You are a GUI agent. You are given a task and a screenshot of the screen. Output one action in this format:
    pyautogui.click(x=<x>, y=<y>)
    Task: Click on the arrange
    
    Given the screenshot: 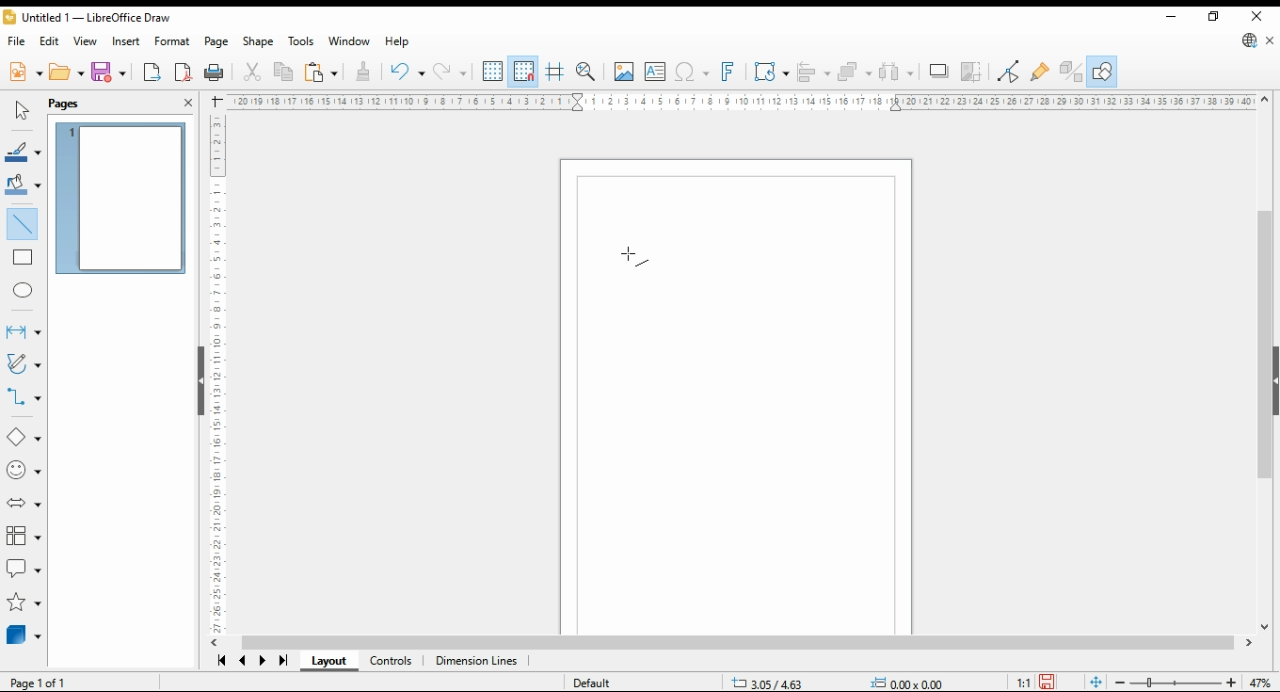 What is the action you would take?
    pyautogui.click(x=855, y=71)
    